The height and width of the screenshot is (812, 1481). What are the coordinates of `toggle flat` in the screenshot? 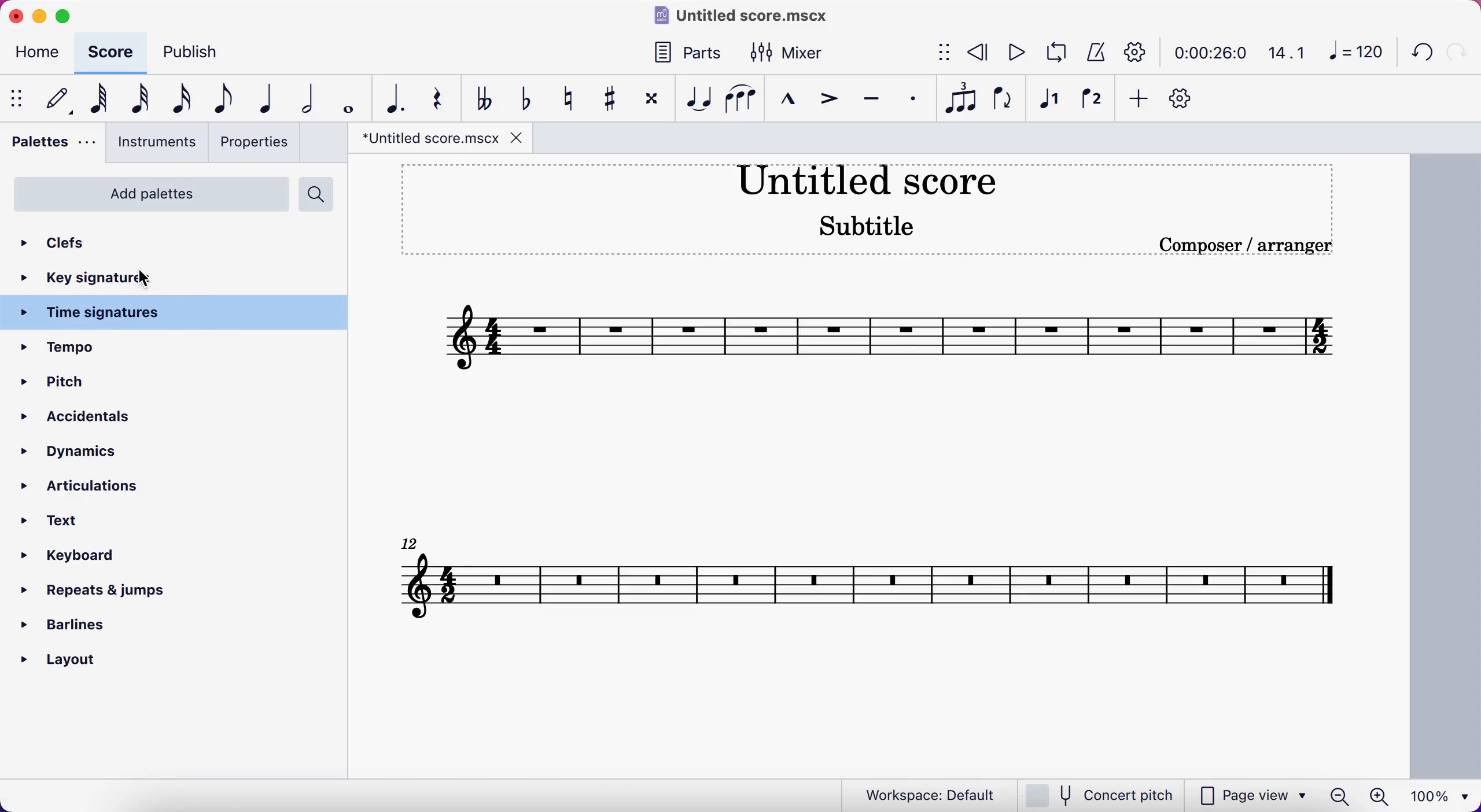 It's located at (529, 101).